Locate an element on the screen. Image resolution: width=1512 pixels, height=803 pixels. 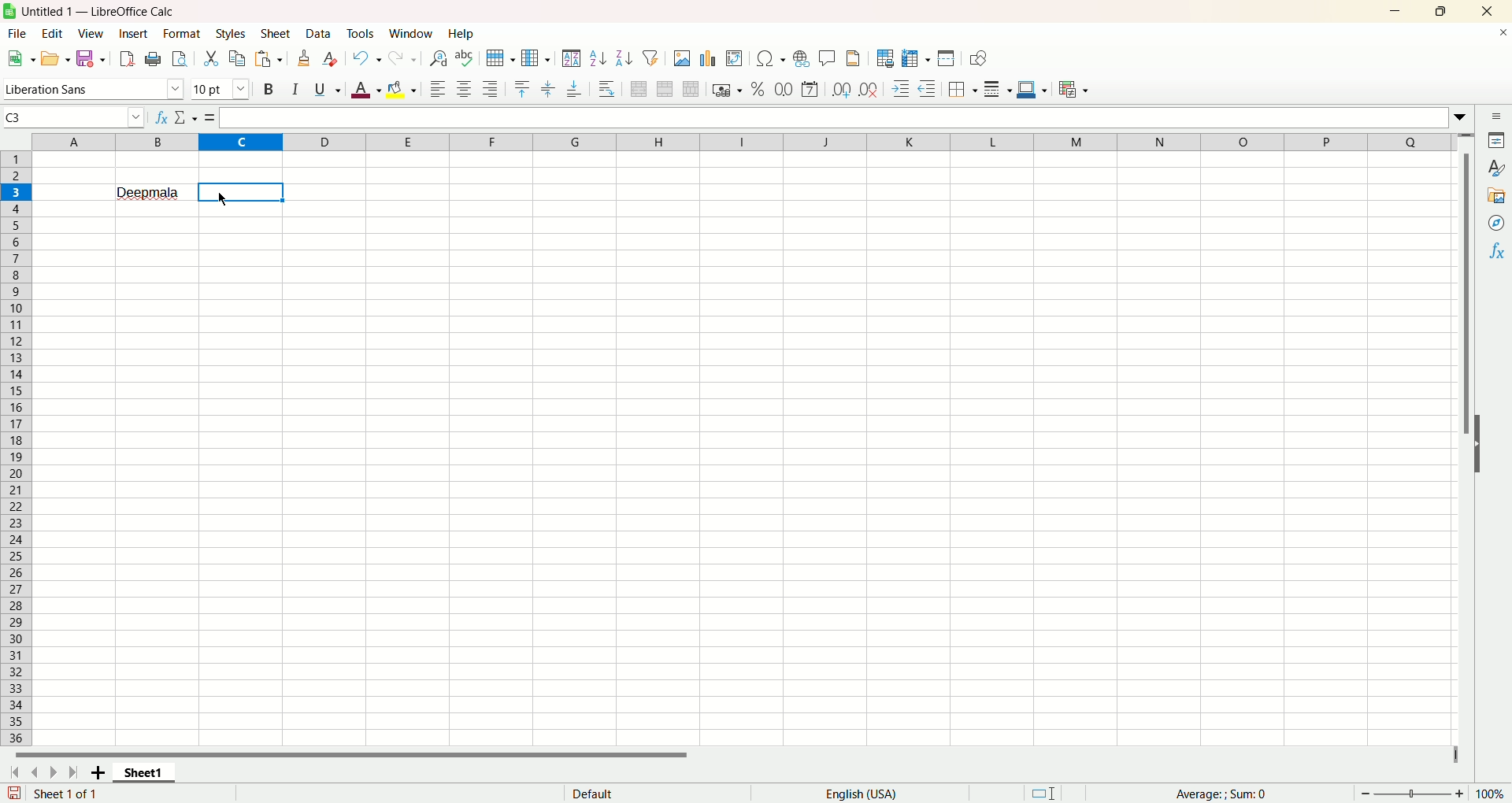
Sort decending is located at coordinates (624, 56).